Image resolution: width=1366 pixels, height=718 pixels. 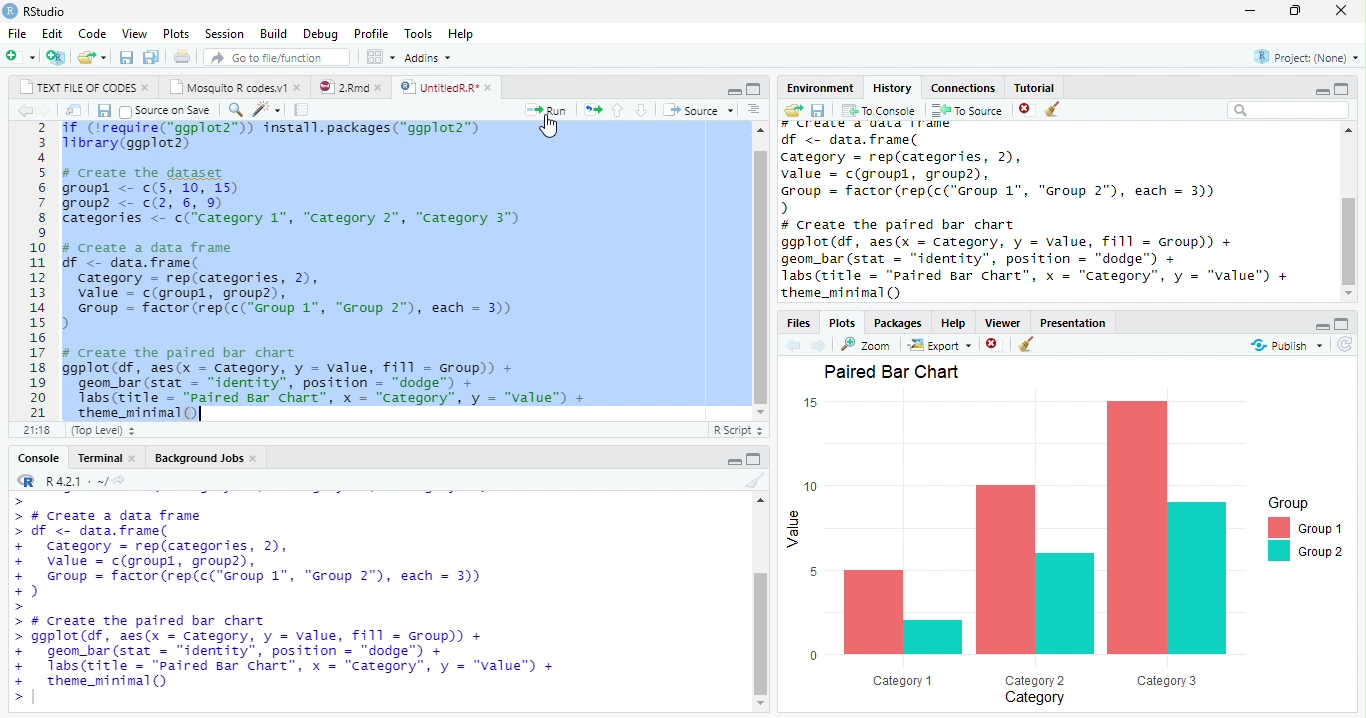 What do you see at coordinates (1323, 89) in the screenshot?
I see `minimize` at bounding box center [1323, 89].